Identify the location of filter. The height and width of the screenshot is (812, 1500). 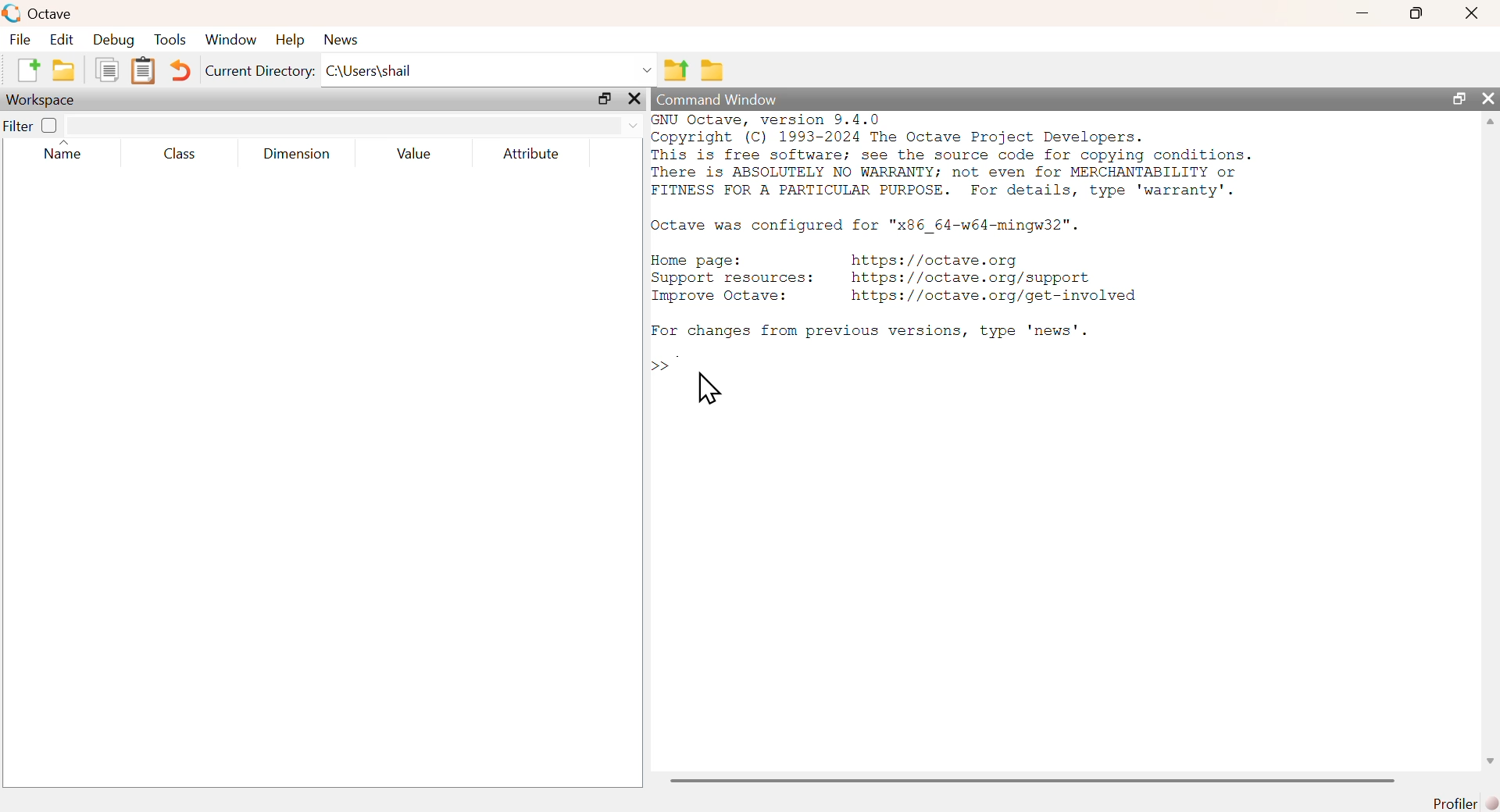
(354, 126).